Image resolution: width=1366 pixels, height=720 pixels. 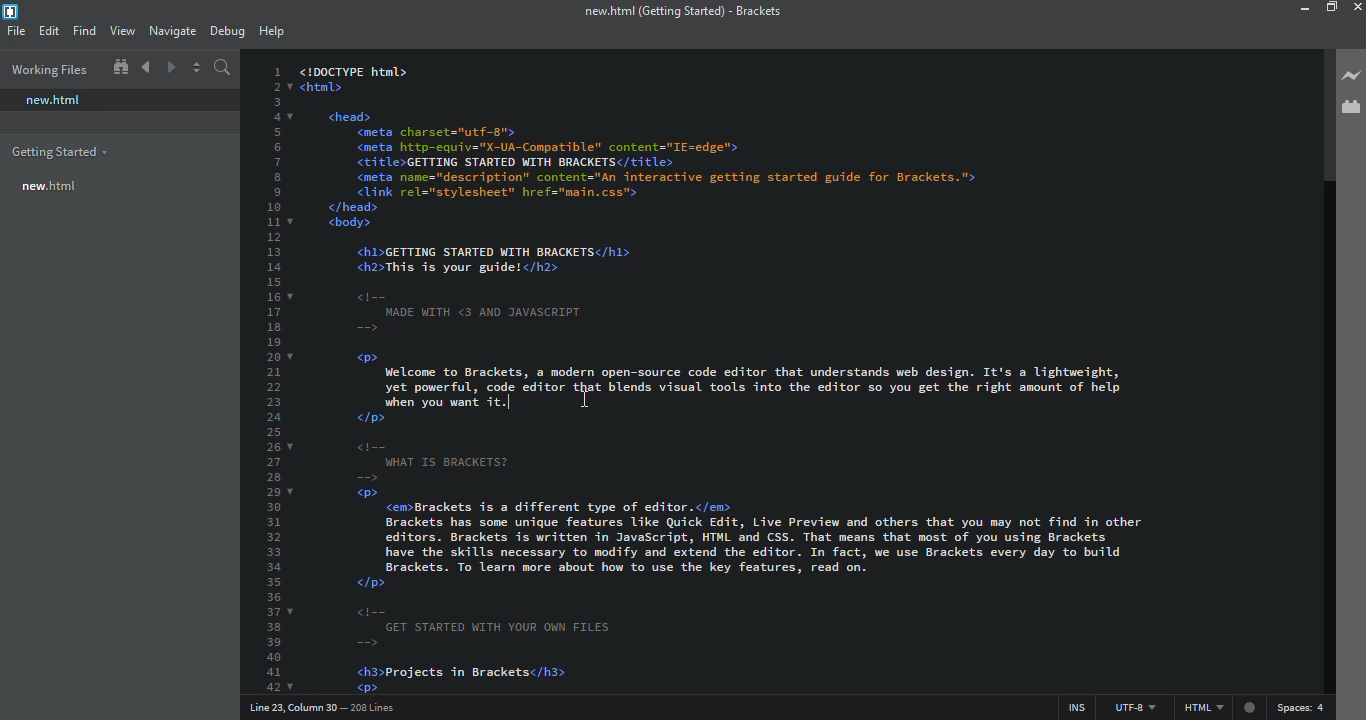 What do you see at coordinates (325, 707) in the screenshot?
I see `line` at bounding box center [325, 707].